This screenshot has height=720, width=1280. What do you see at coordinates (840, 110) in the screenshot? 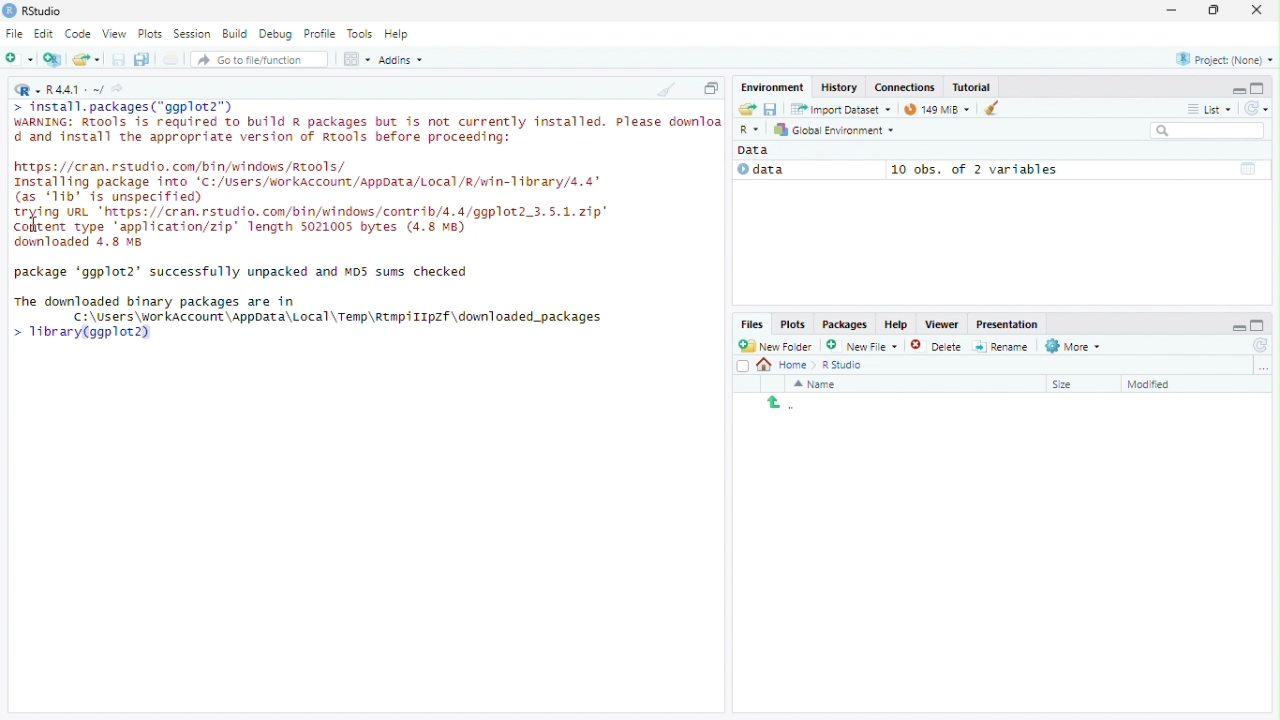
I see `Import Dataset` at bounding box center [840, 110].